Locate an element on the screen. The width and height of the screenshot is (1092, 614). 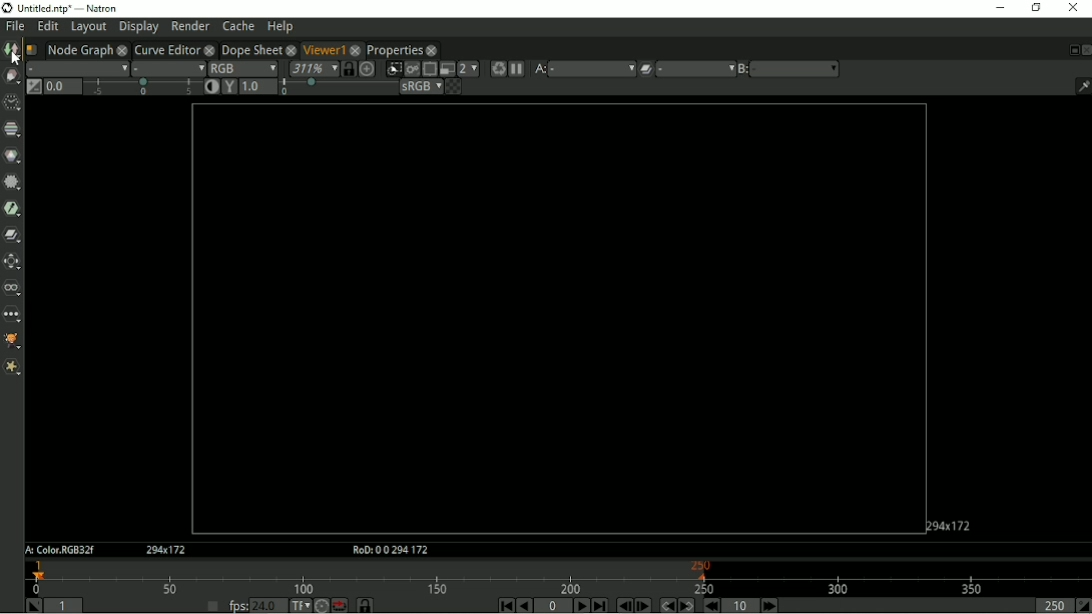
Set playback frame rate is located at coordinates (211, 604).